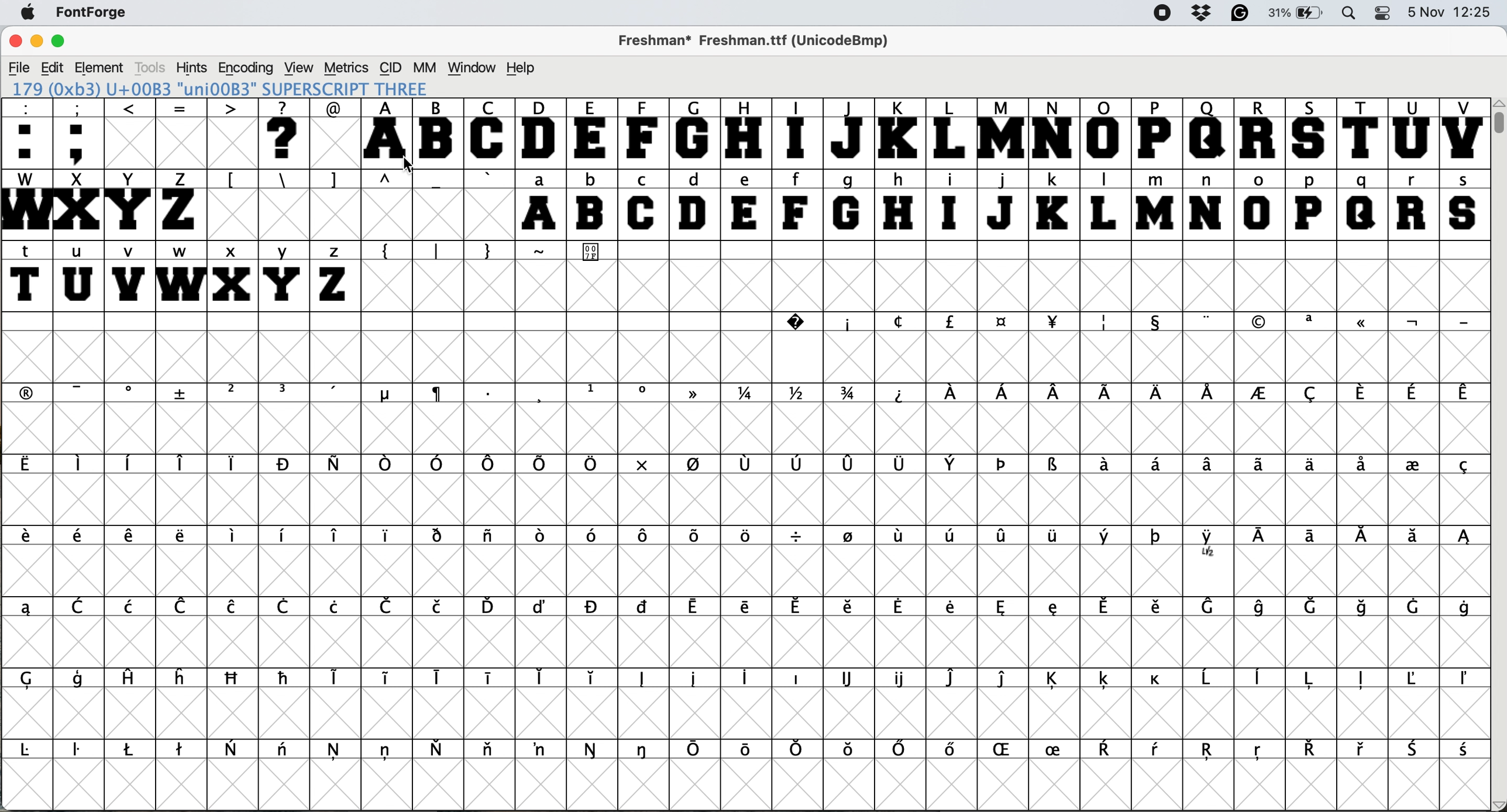 The height and width of the screenshot is (812, 1507). What do you see at coordinates (952, 677) in the screenshot?
I see `symbol` at bounding box center [952, 677].